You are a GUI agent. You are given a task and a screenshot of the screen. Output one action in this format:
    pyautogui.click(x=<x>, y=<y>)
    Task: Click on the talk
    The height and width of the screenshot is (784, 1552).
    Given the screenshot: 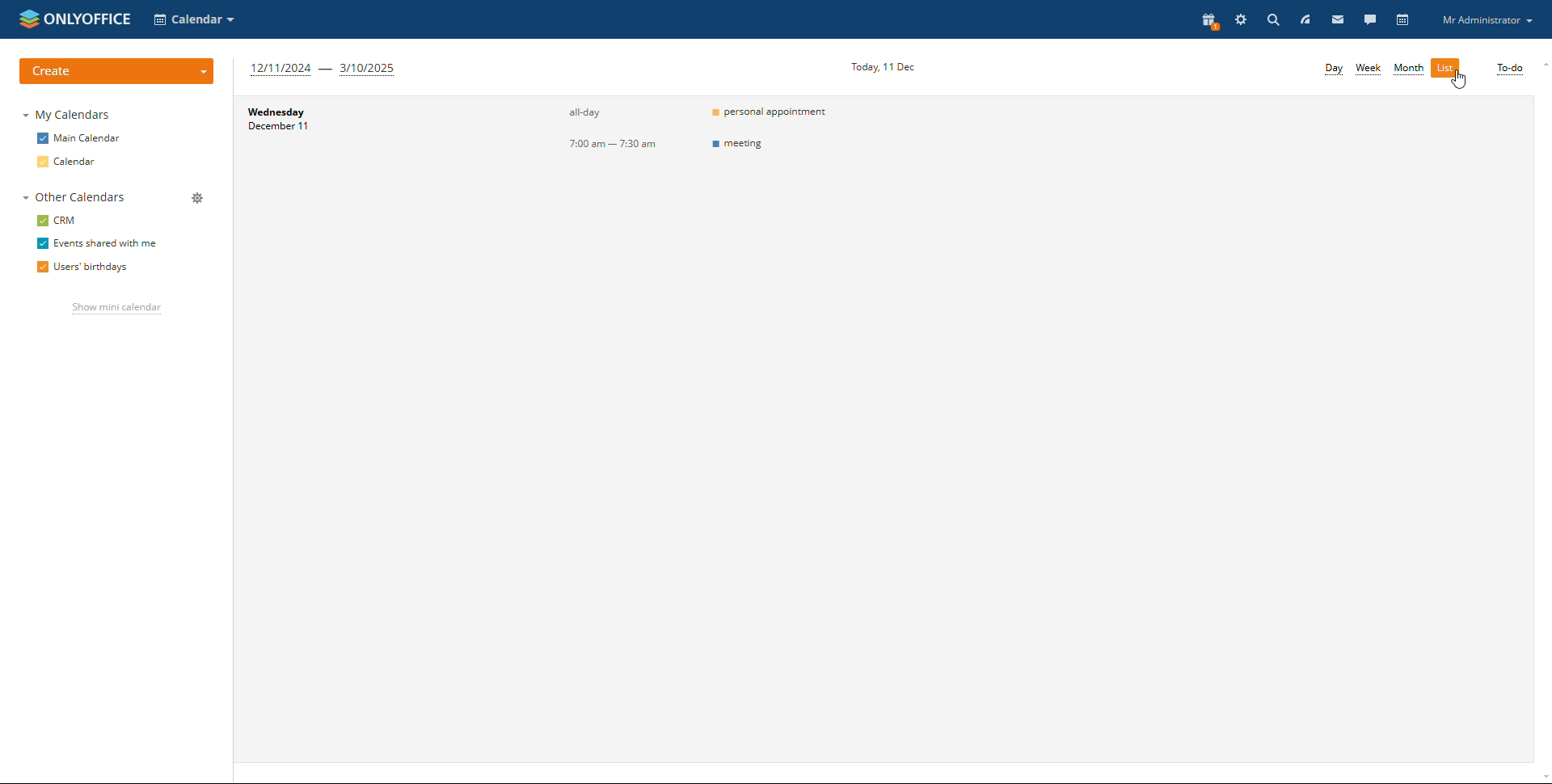 What is the action you would take?
    pyautogui.click(x=1370, y=19)
    